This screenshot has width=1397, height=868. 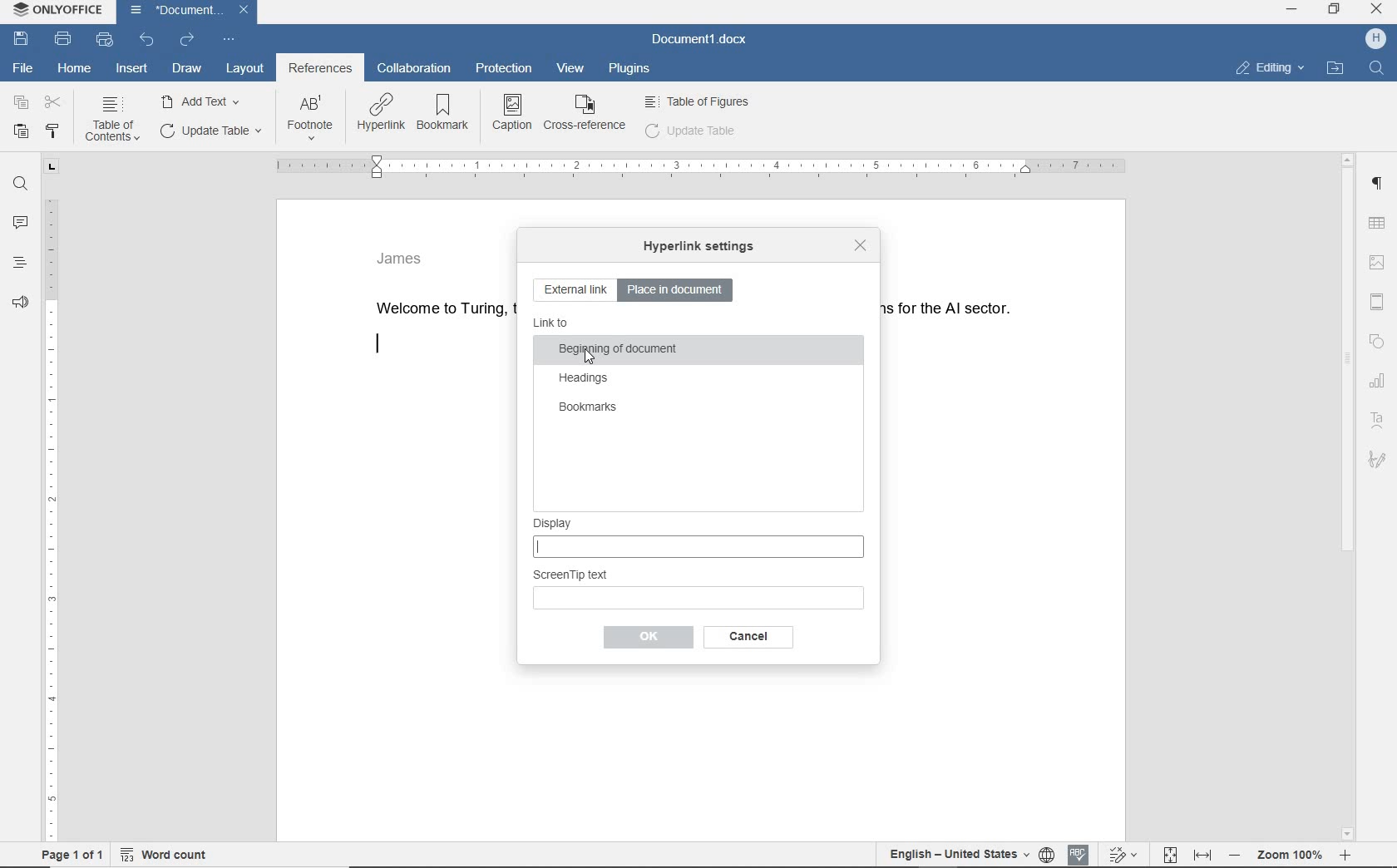 What do you see at coordinates (56, 10) in the screenshot?
I see `ONLYOFFICE` at bounding box center [56, 10].